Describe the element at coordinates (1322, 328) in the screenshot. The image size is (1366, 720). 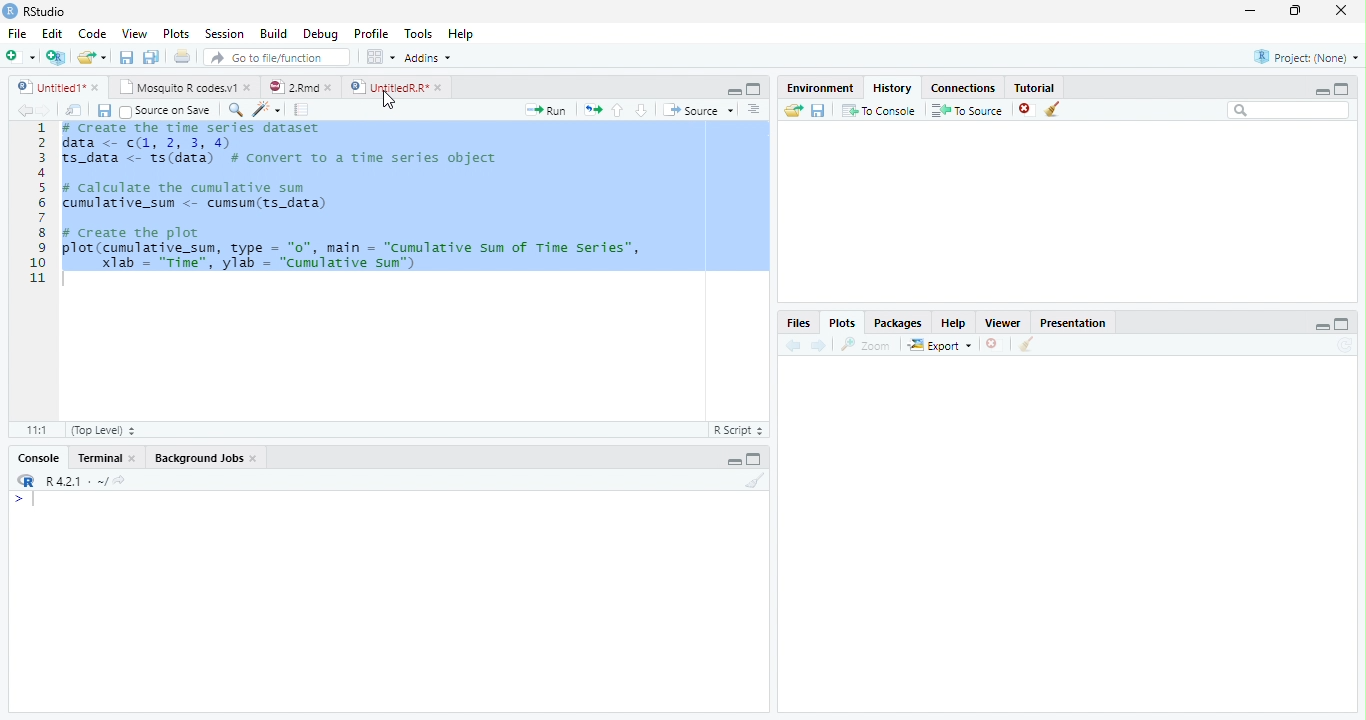
I see `Minimize` at that location.